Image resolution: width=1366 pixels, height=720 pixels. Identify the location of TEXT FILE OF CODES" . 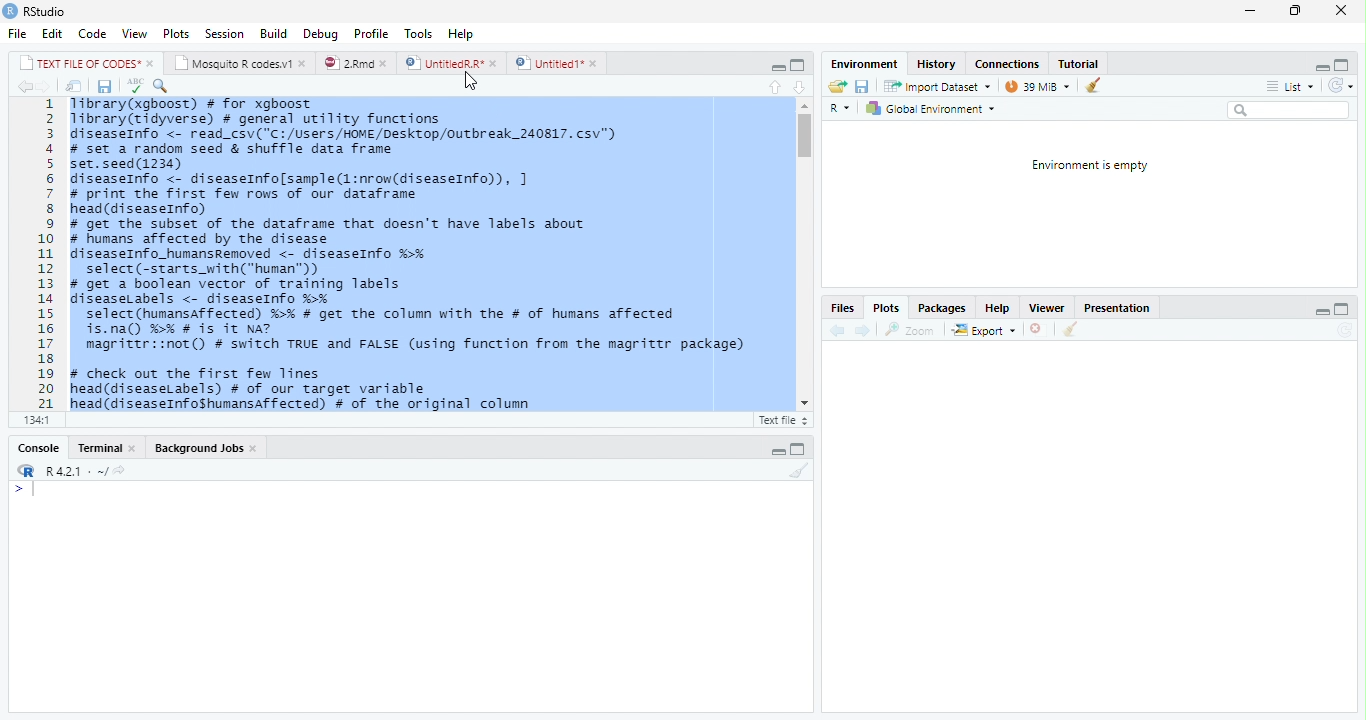
(86, 63).